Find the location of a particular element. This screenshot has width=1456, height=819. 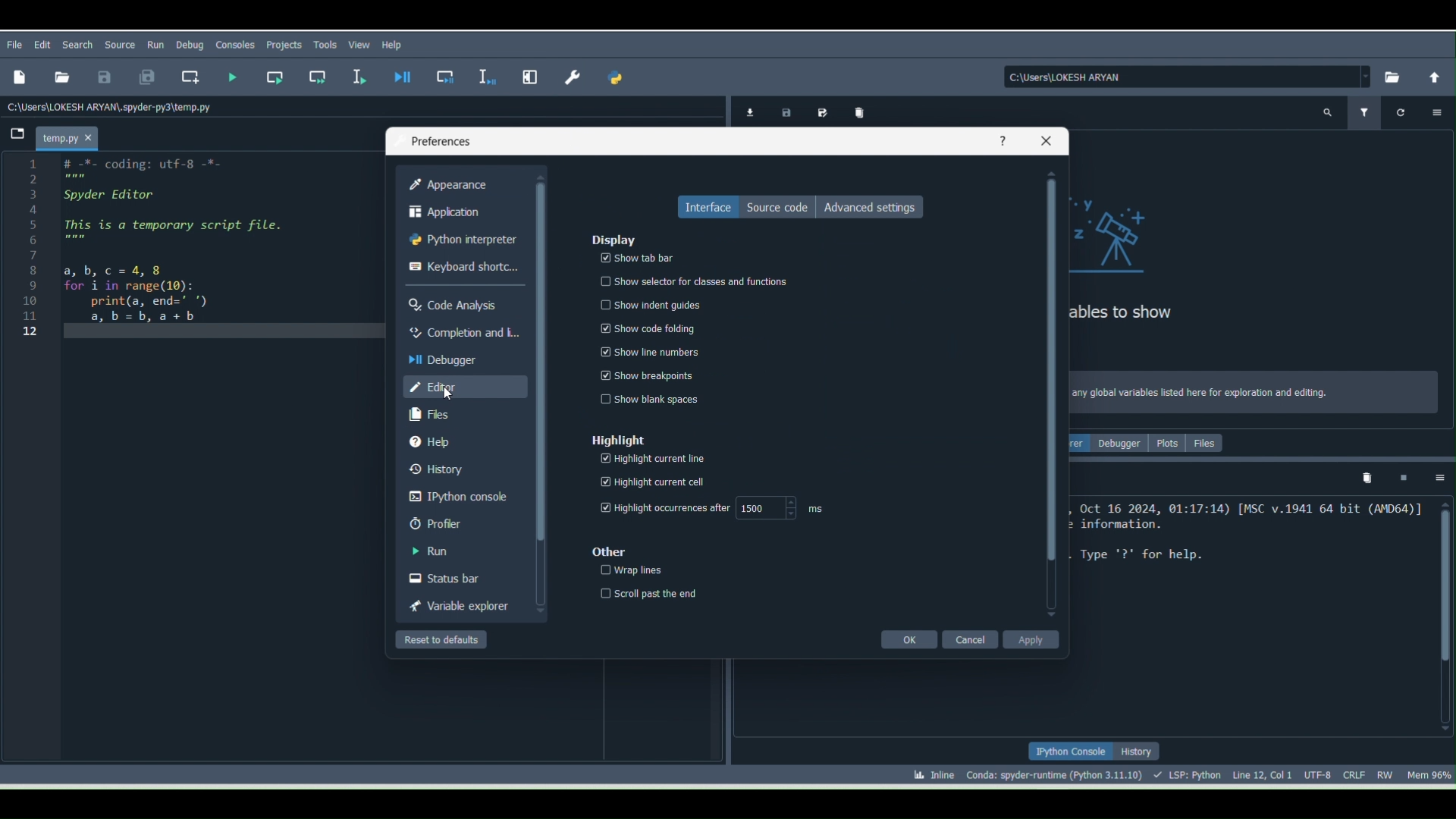

Open file (Ctrl + O) is located at coordinates (59, 75).